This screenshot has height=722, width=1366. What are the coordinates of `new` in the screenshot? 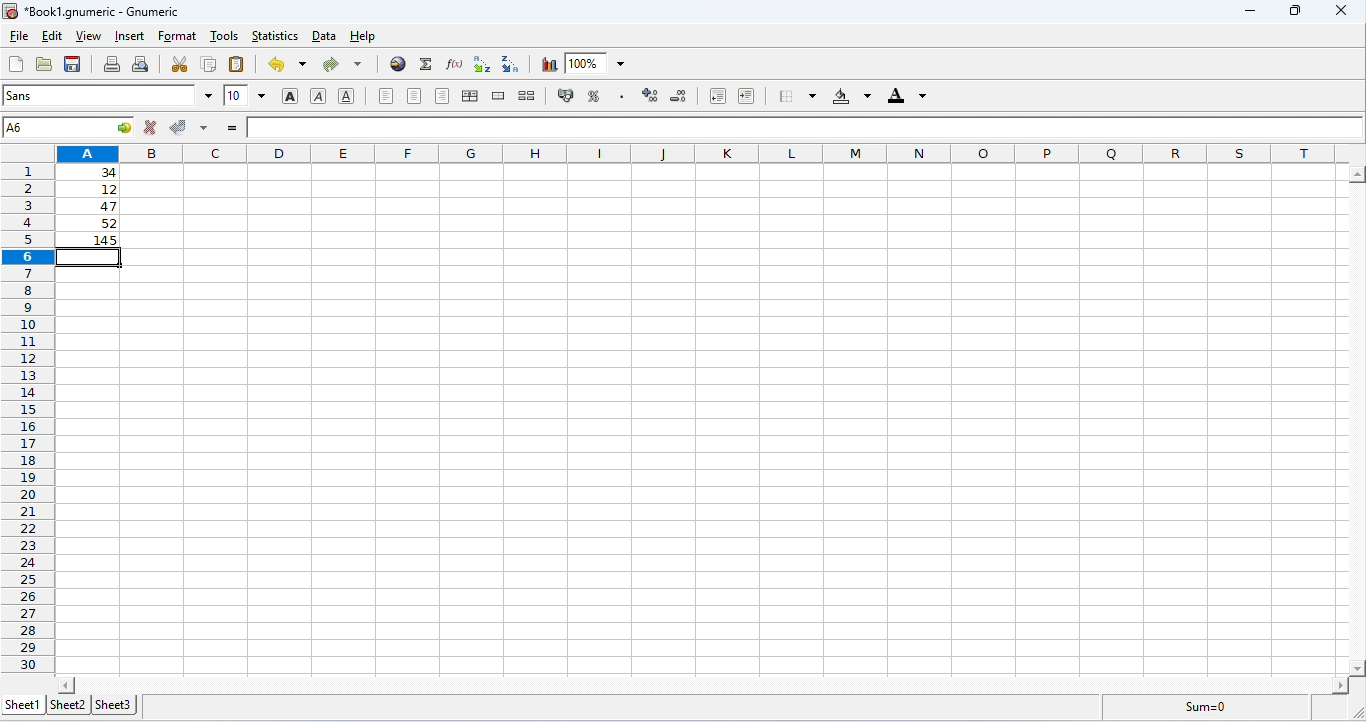 It's located at (15, 64).